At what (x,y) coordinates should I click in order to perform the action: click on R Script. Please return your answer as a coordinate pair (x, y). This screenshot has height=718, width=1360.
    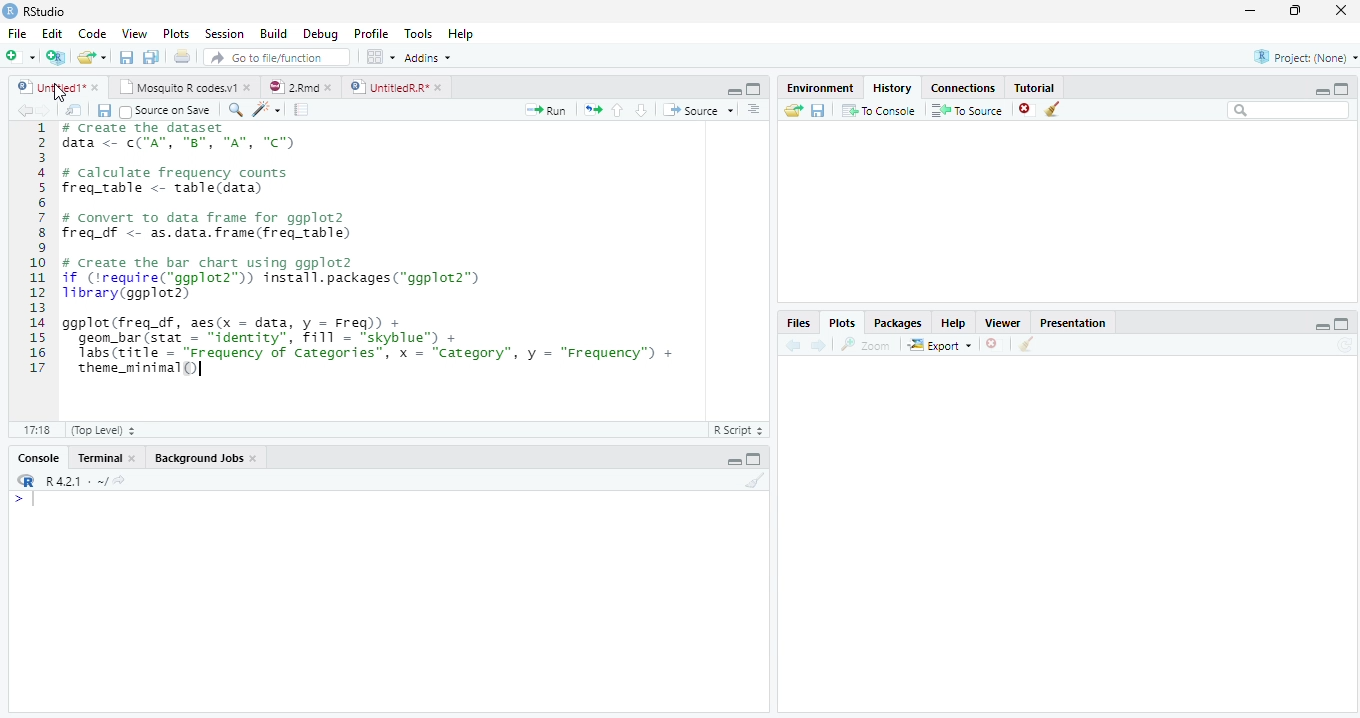
    Looking at the image, I should click on (740, 431).